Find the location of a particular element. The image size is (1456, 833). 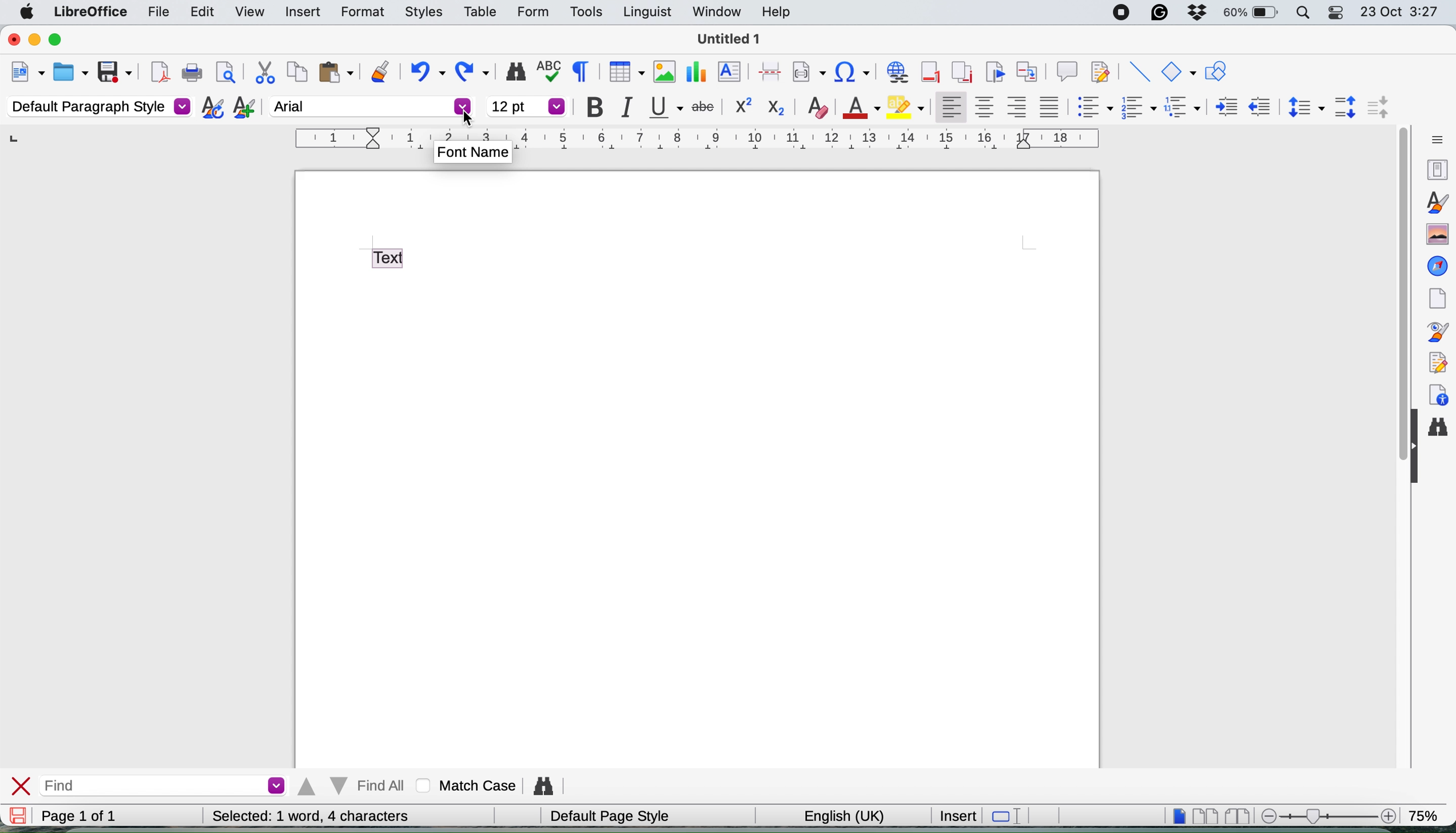

insert field is located at coordinates (810, 71).